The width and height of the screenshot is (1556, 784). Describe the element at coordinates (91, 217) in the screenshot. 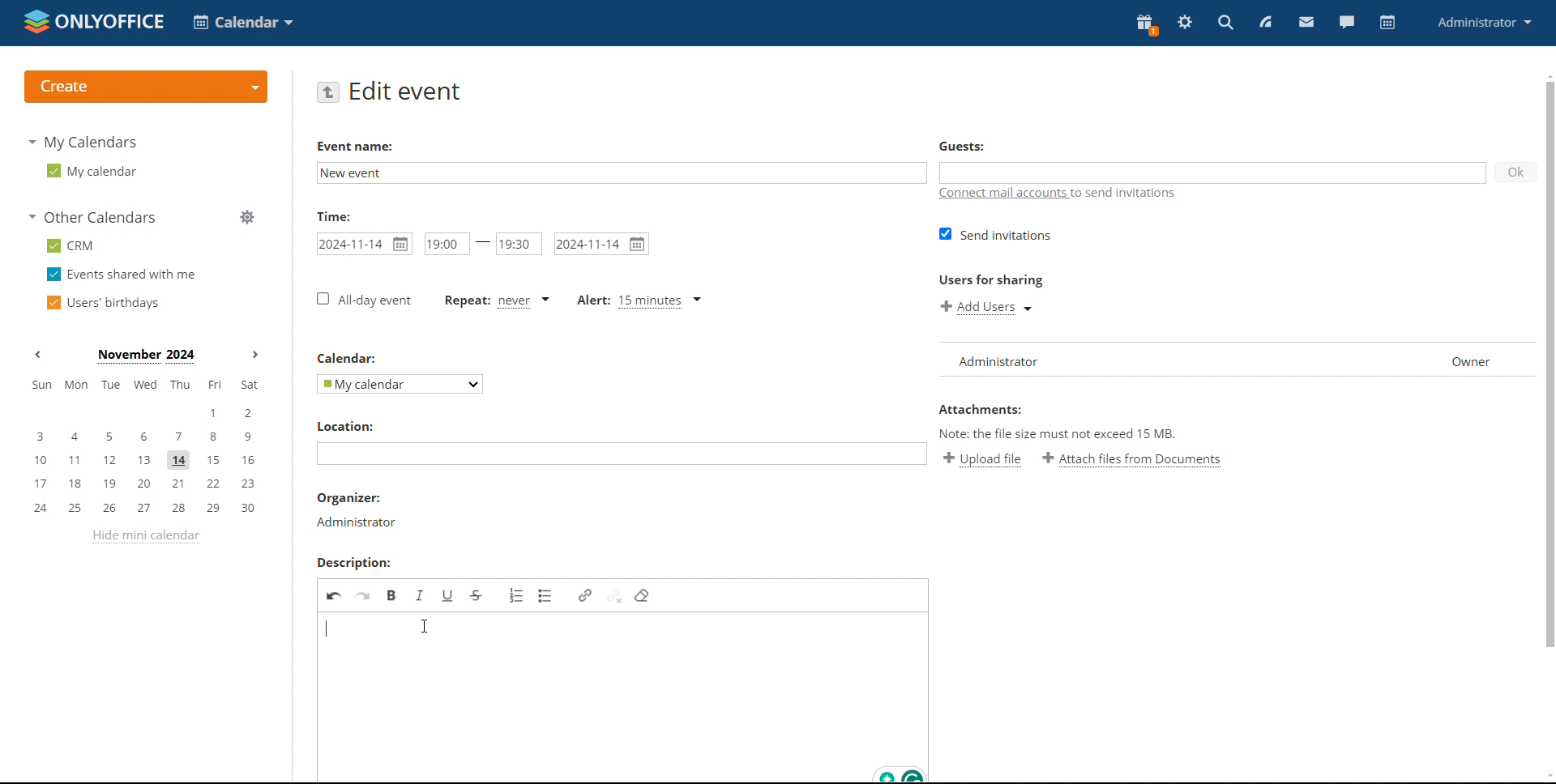

I see `other calendars` at that location.